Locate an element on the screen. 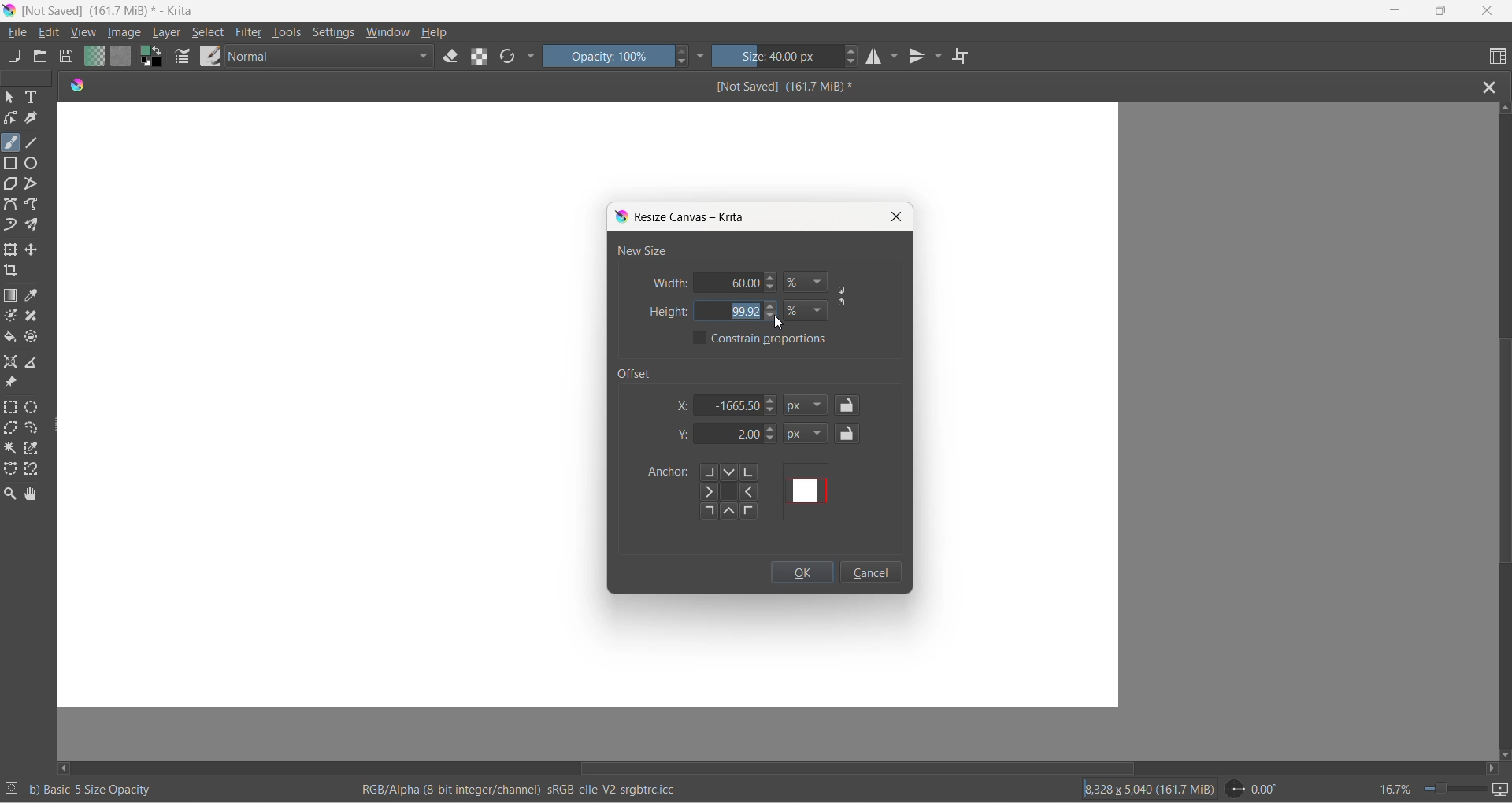 This screenshot has width=1512, height=803. freehand path tool is located at coordinates (35, 205).